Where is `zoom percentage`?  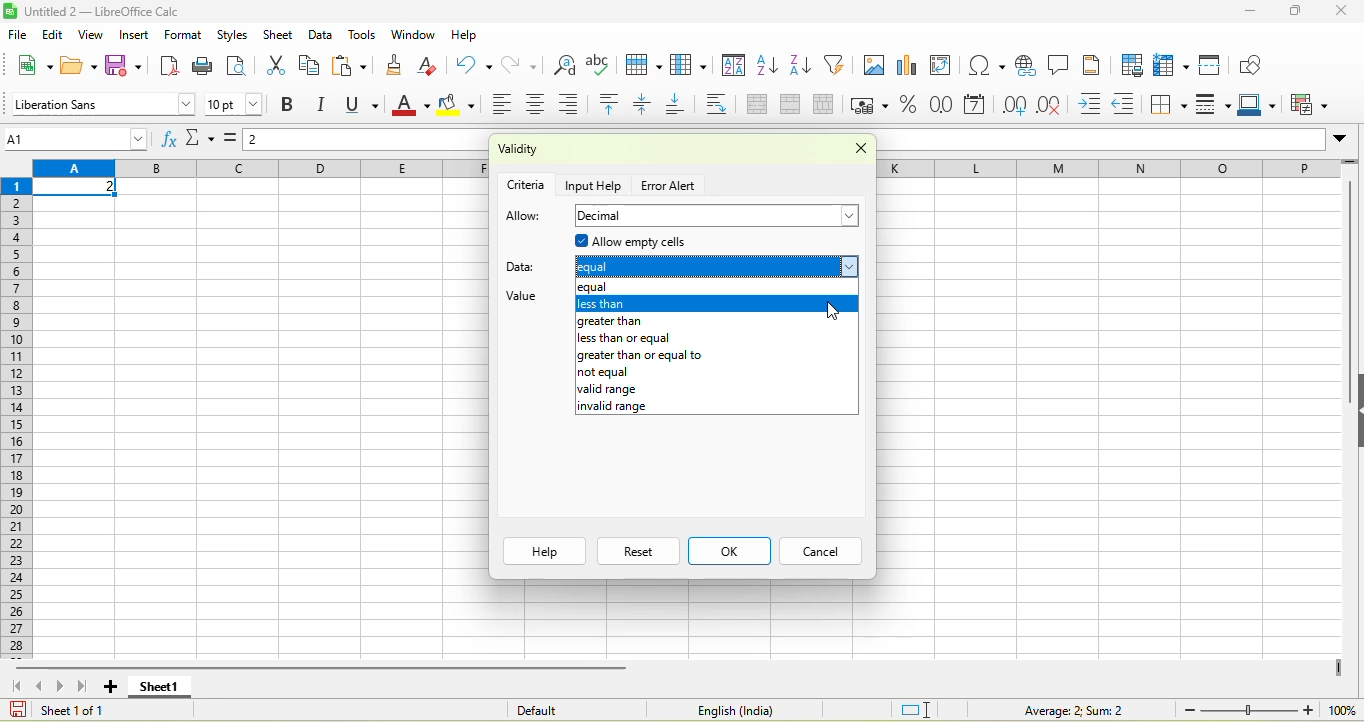 zoom percentage is located at coordinates (1342, 709).